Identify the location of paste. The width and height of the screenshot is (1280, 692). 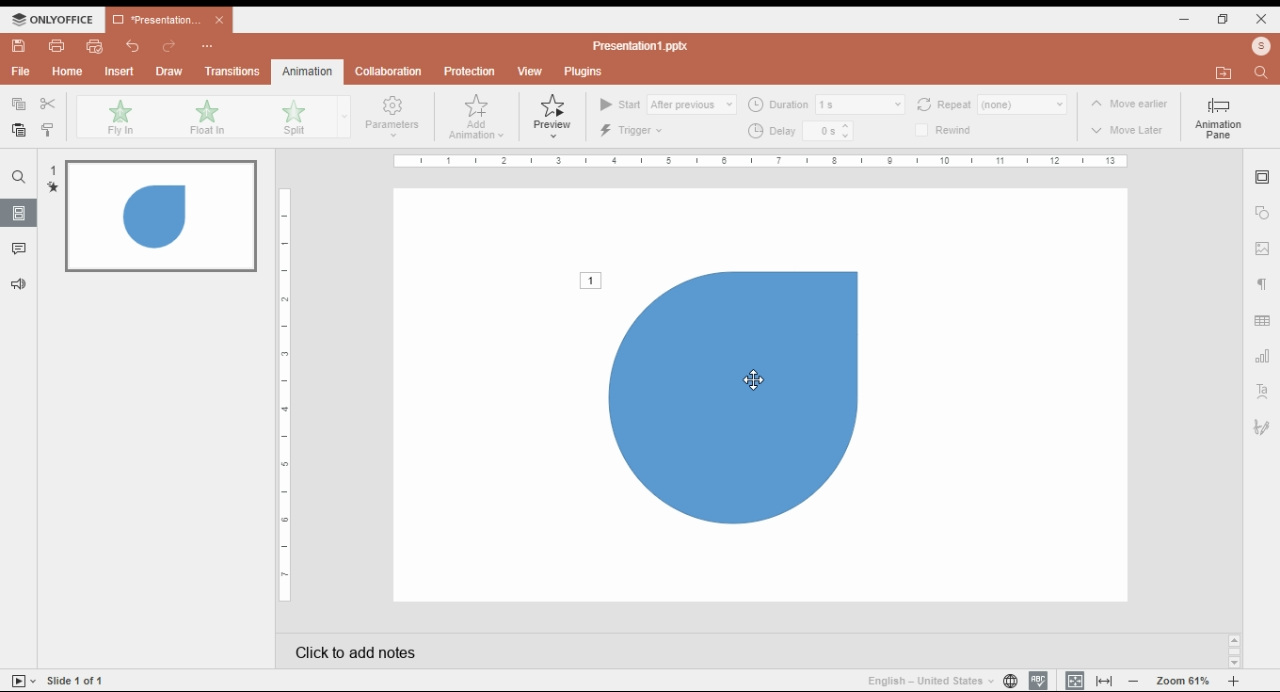
(20, 129).